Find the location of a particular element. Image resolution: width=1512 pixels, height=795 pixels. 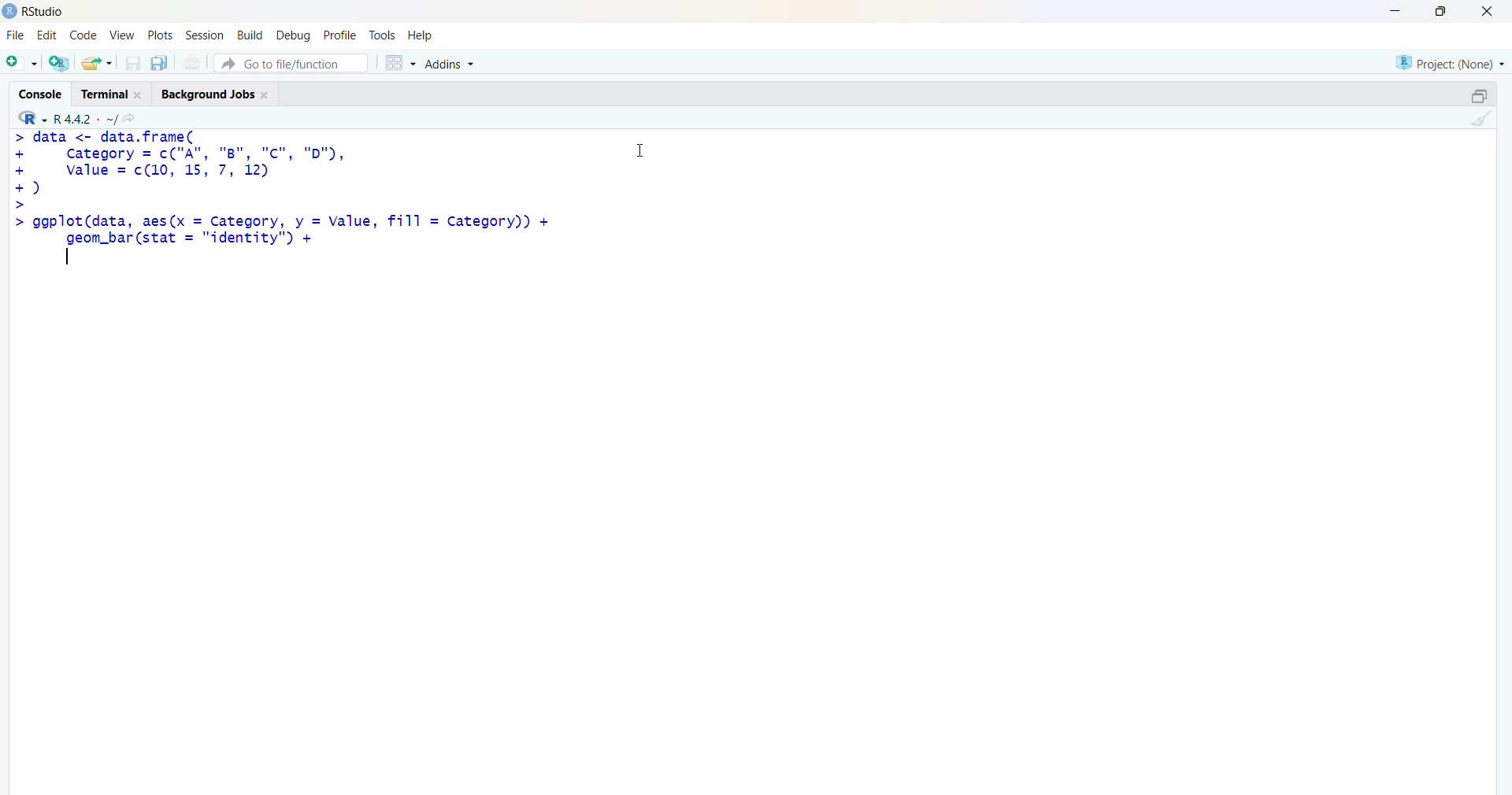

plots is located at coordinates (162, 35).